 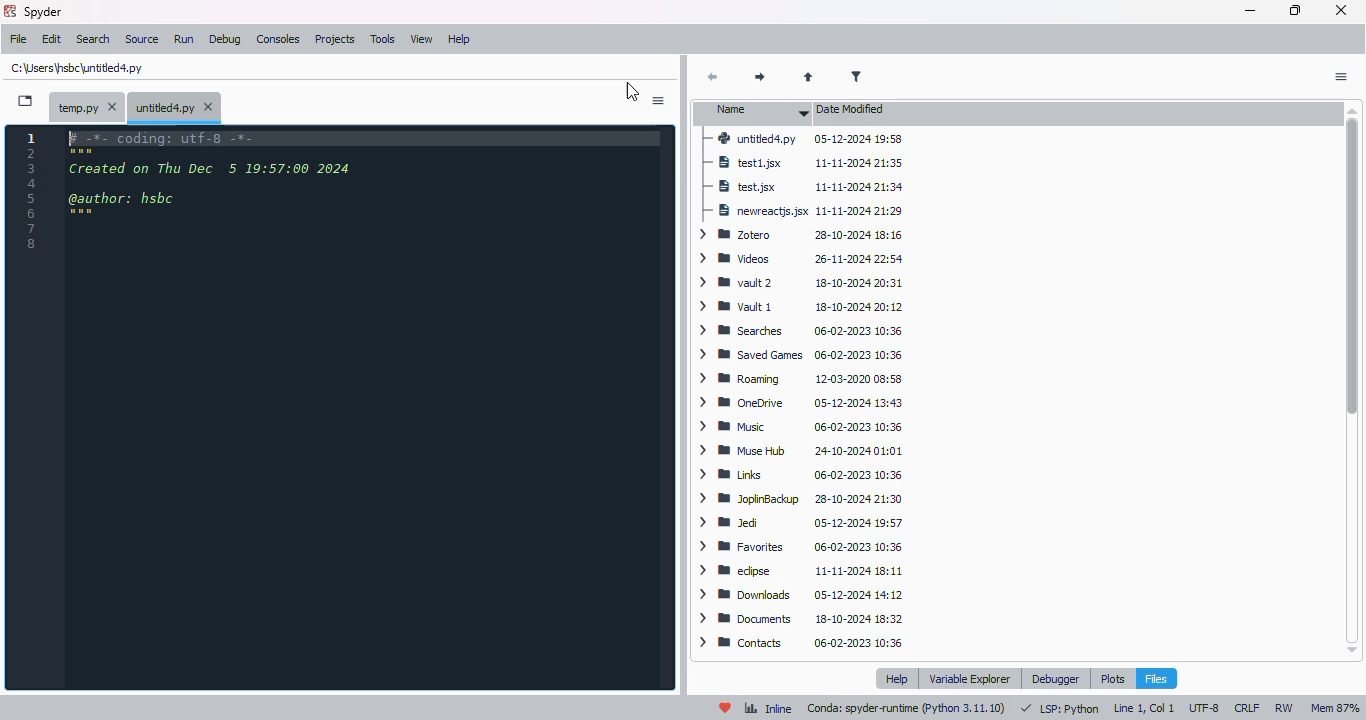 What do you see at coordinates (25, 100) in the screenshot?
I see `browse tabs` at bounding box center [25, 100].